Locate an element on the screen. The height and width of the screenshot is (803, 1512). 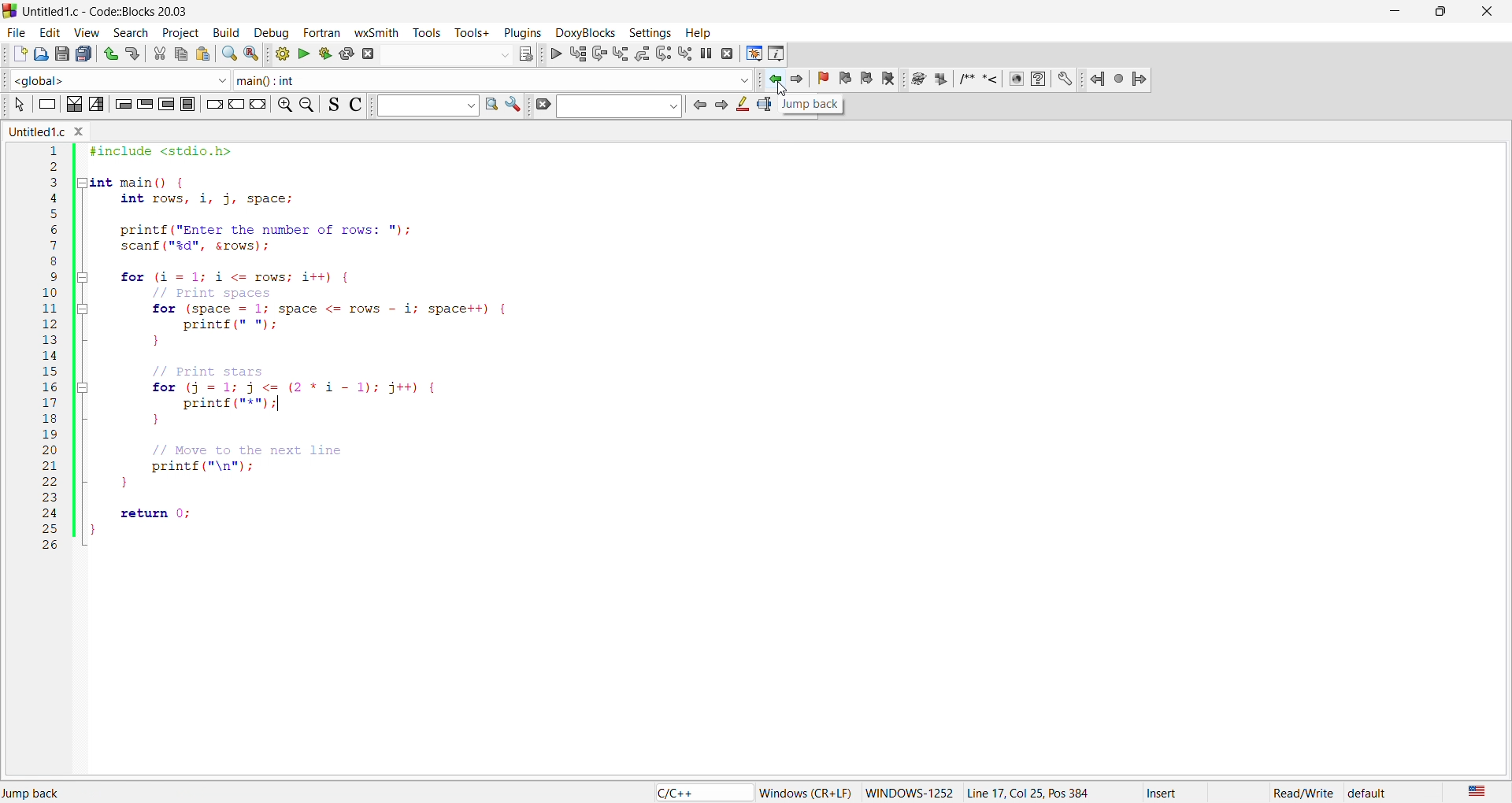
debug icons is located at coordinates (638, 54).